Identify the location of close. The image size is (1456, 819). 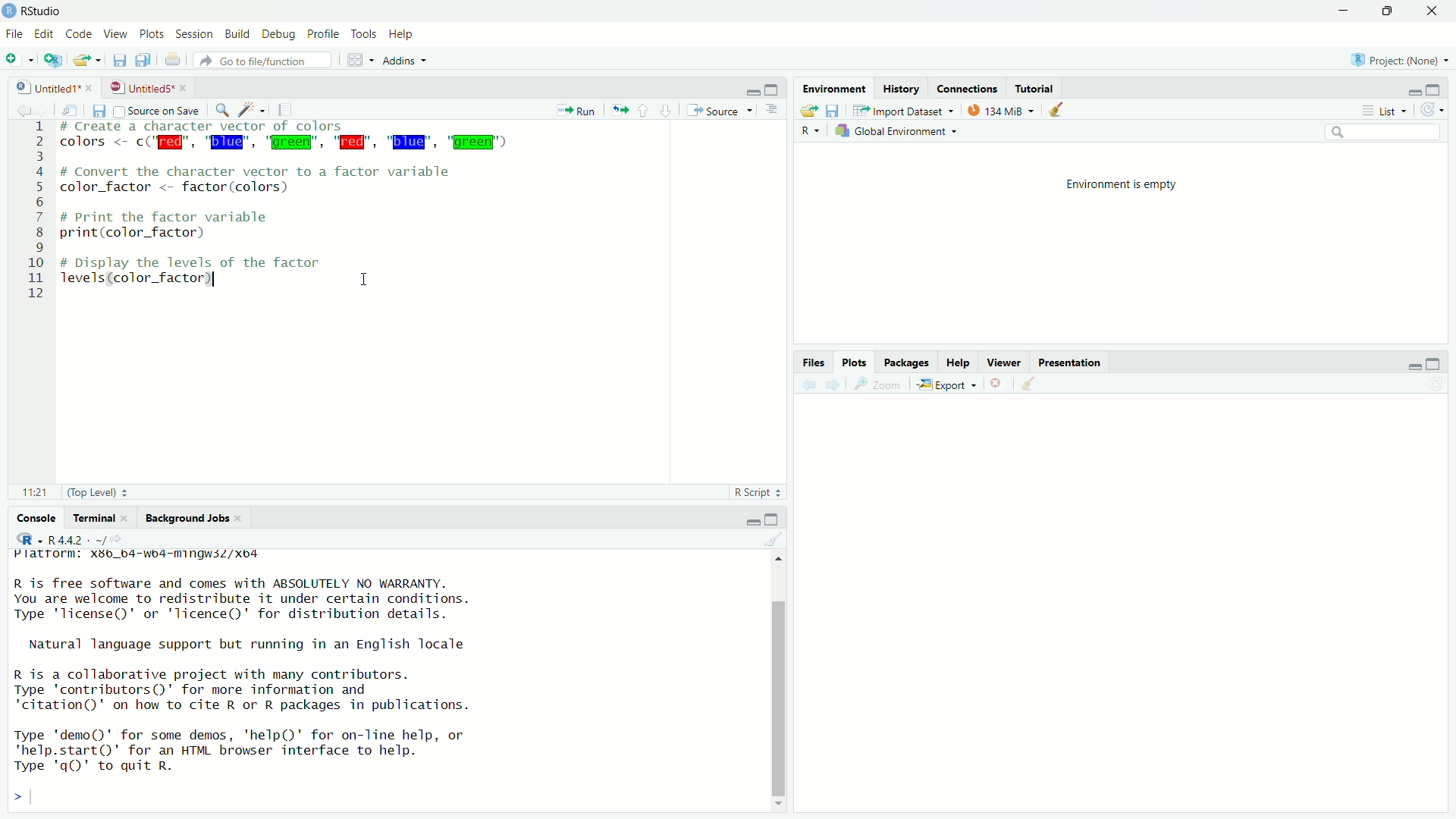
(1435, 10).